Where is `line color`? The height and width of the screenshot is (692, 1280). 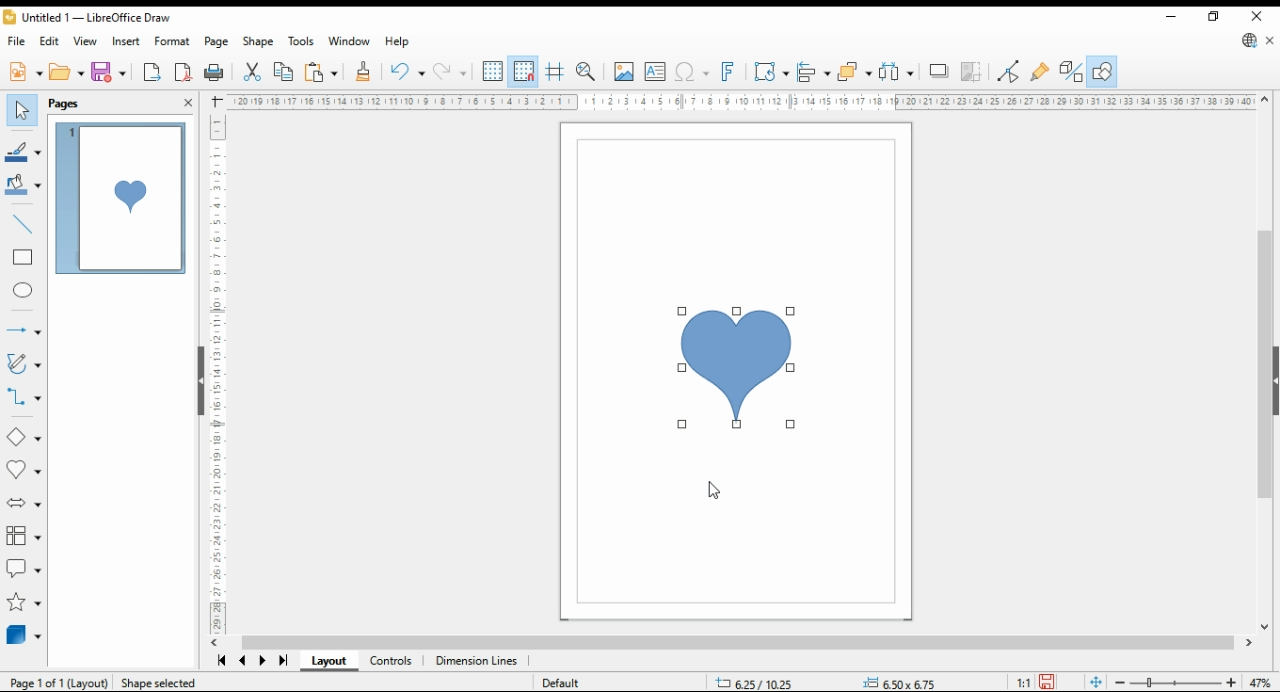 line color is located at coordinates (25, 150).